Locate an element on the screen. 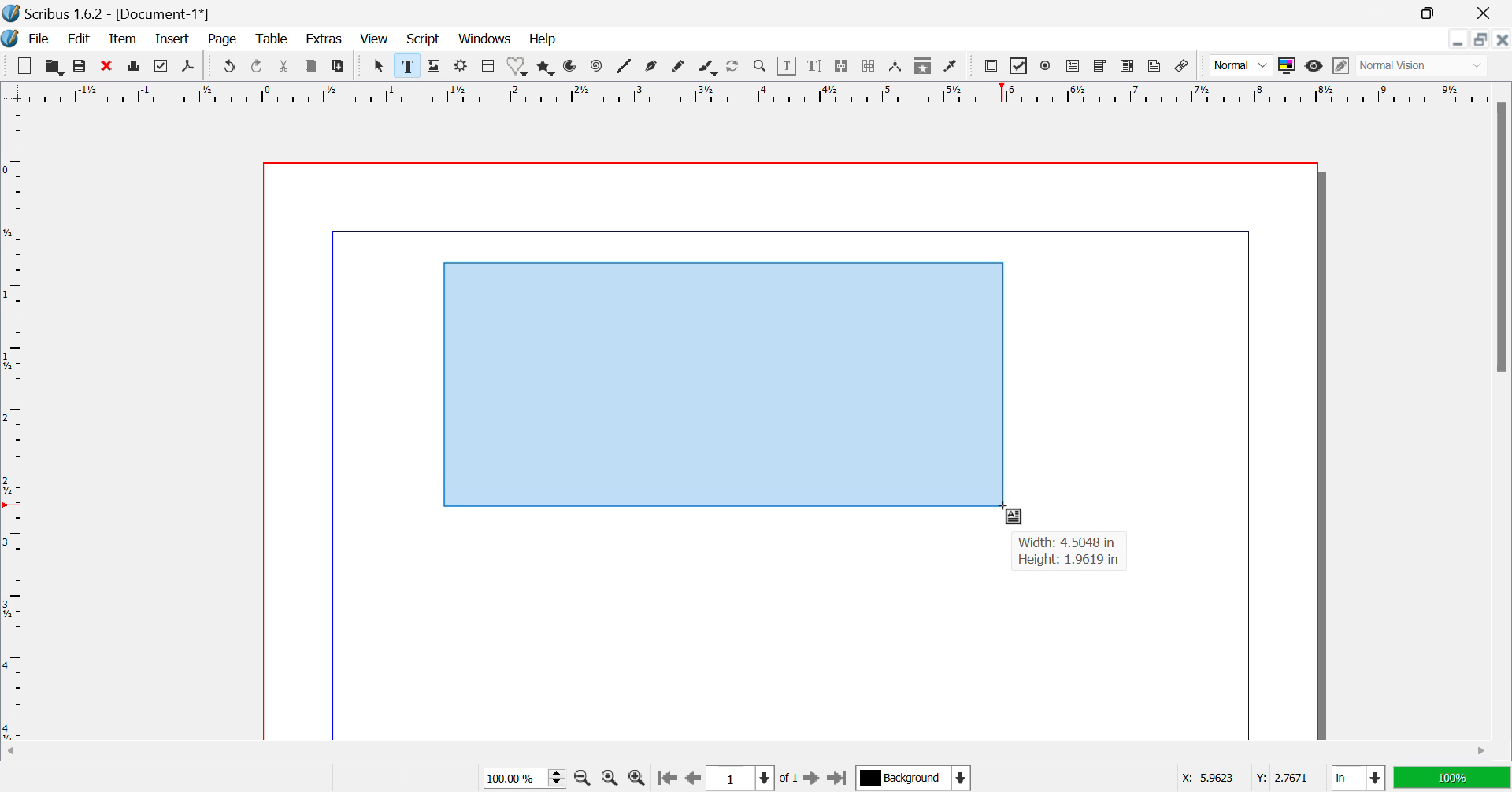  Close is located at coordinates (1503, 40).